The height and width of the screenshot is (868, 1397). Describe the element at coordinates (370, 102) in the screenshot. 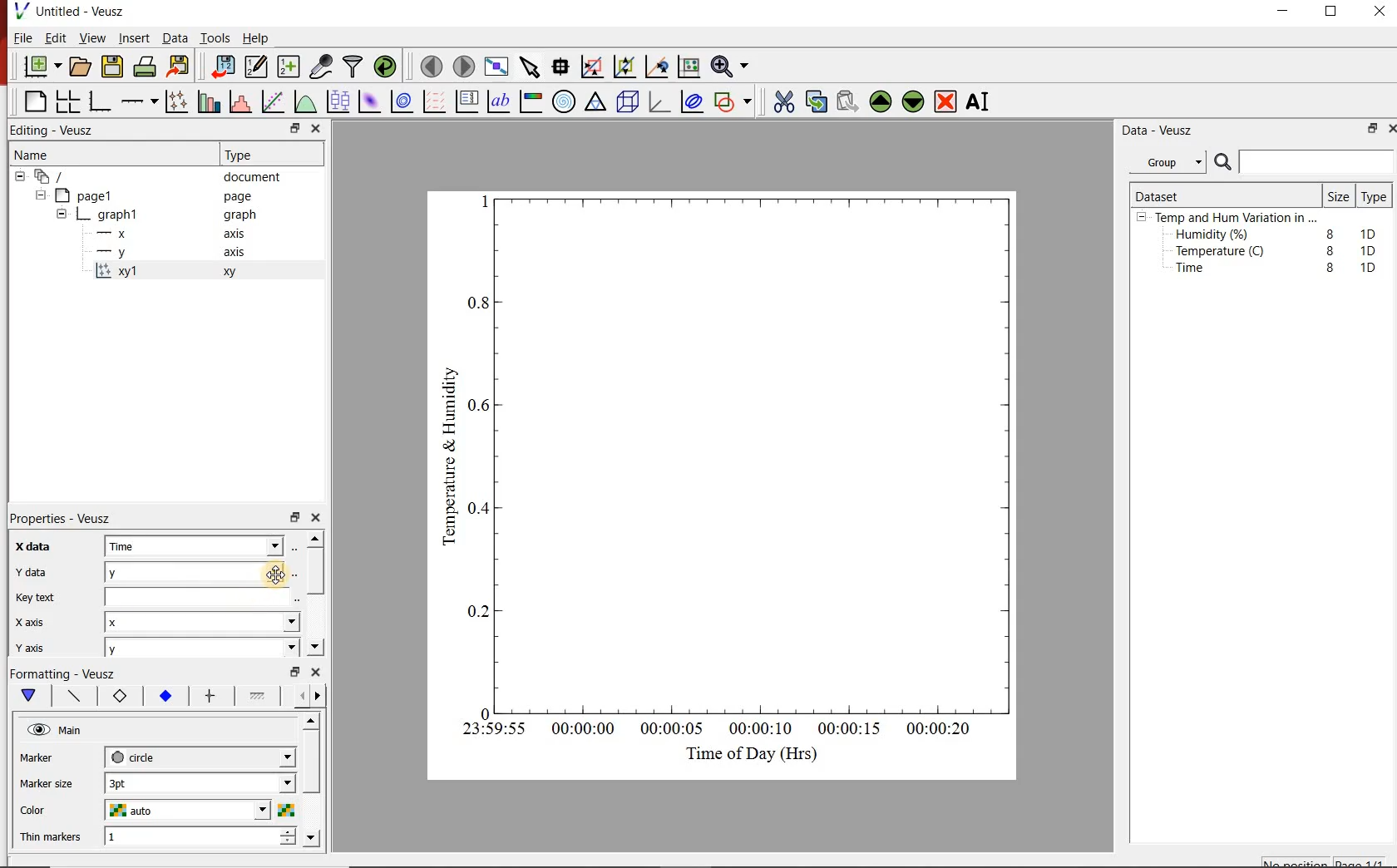

I see `plot a 2d dataset as an image` at that location.